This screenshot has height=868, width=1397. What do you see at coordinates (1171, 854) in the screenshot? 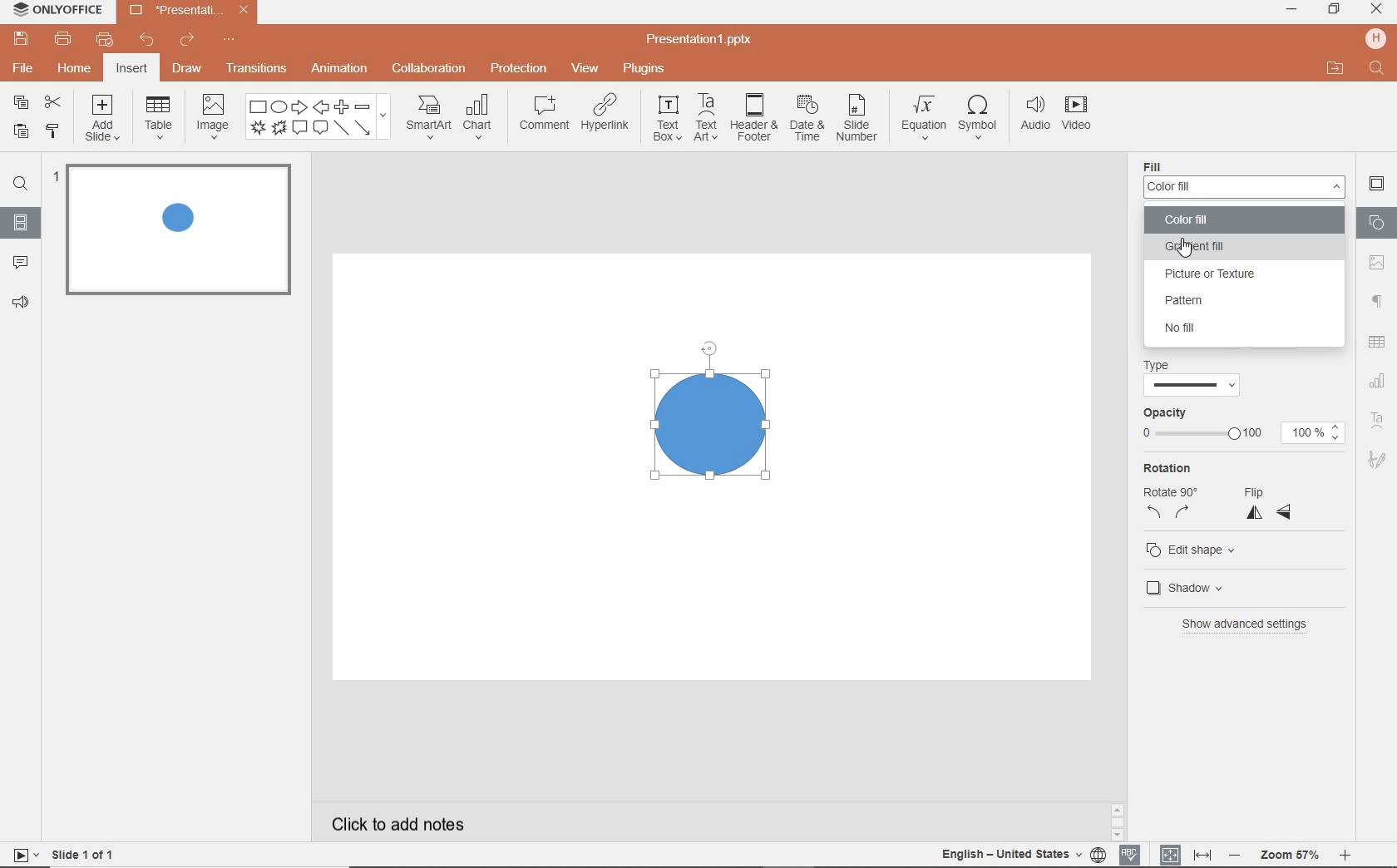
I see `fit to slide` at bounding box center [1171, 854].